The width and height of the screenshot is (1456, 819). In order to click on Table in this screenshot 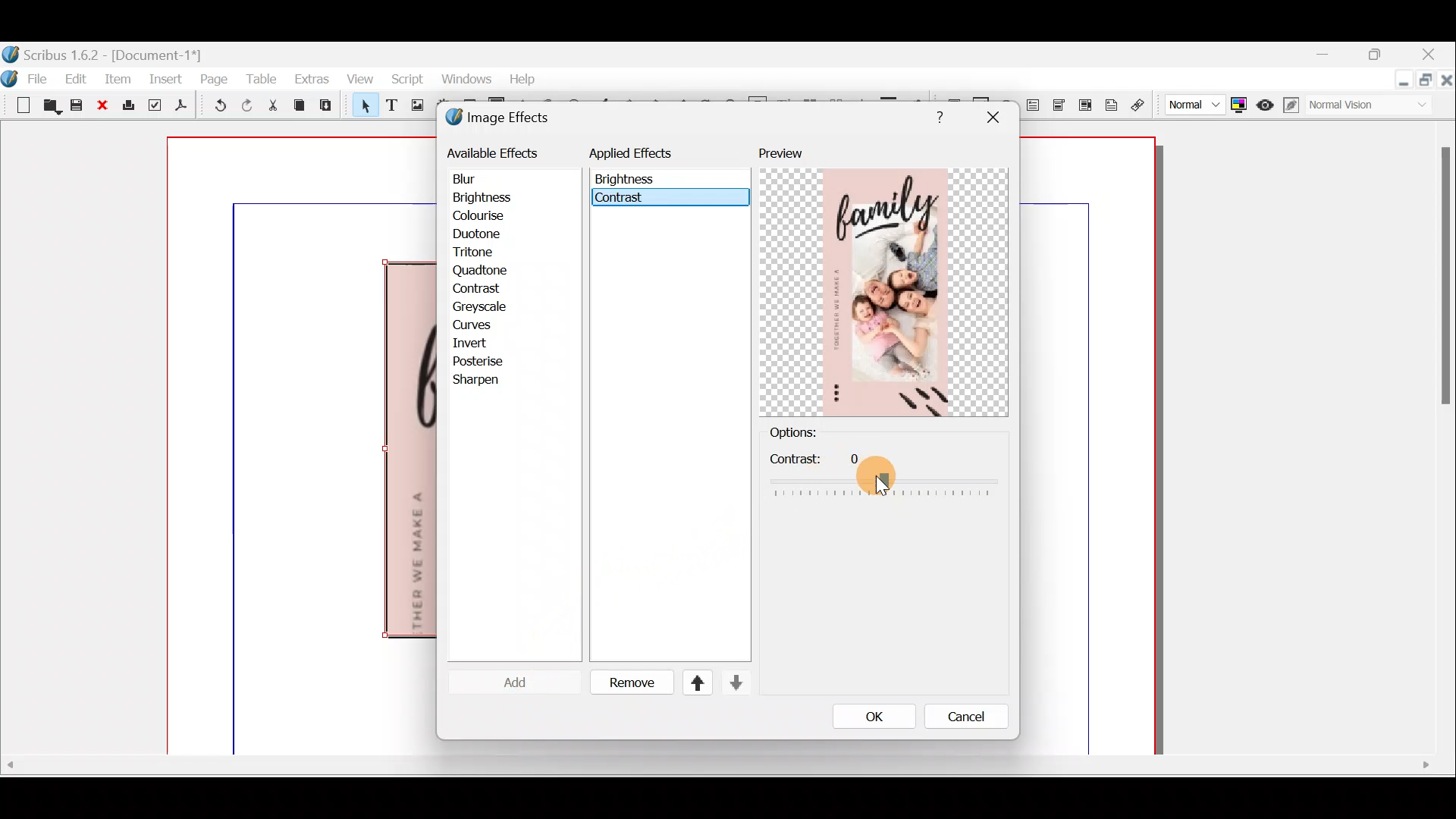, I will do `click(261, 79)`.